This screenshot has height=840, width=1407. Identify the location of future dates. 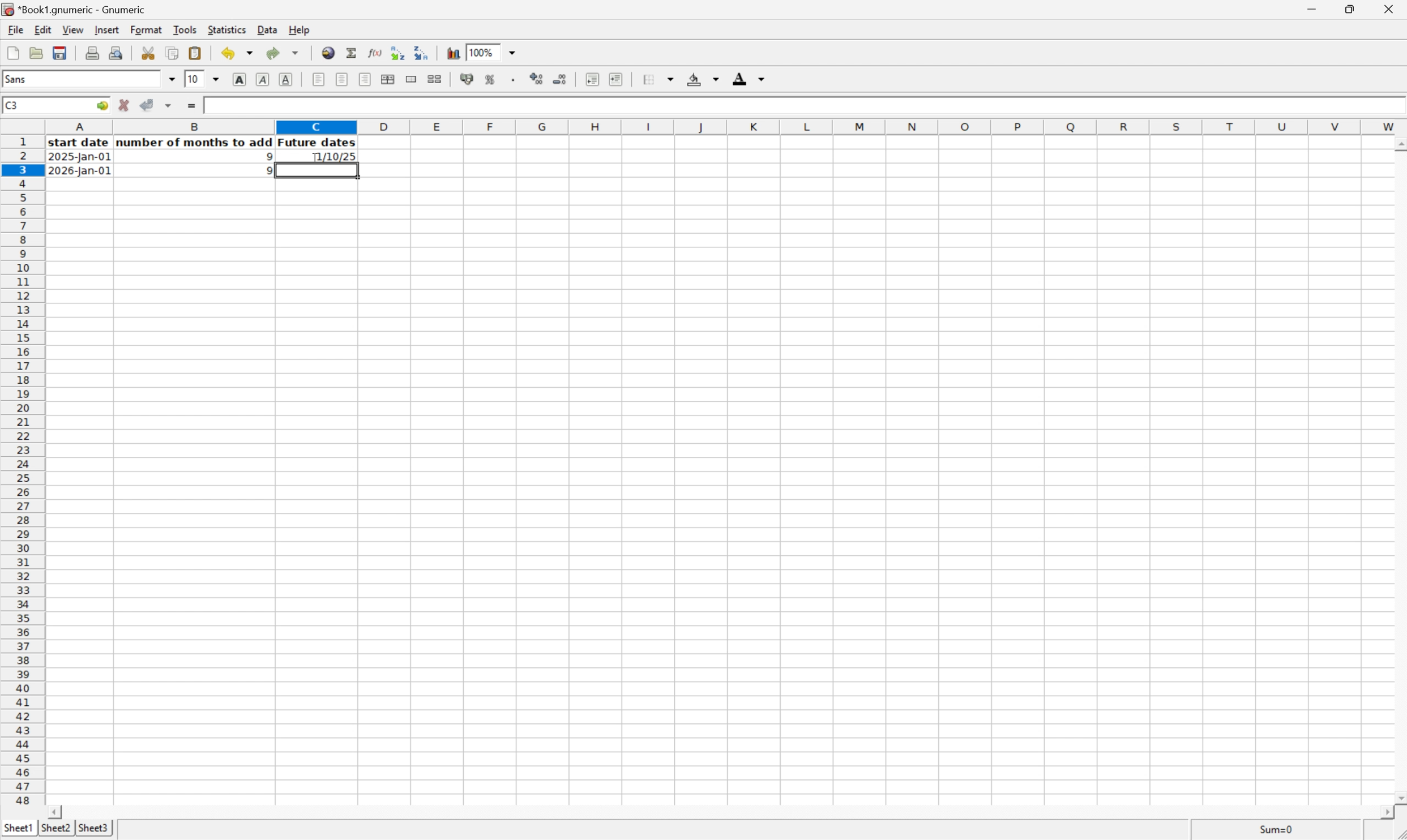
(318, 143).